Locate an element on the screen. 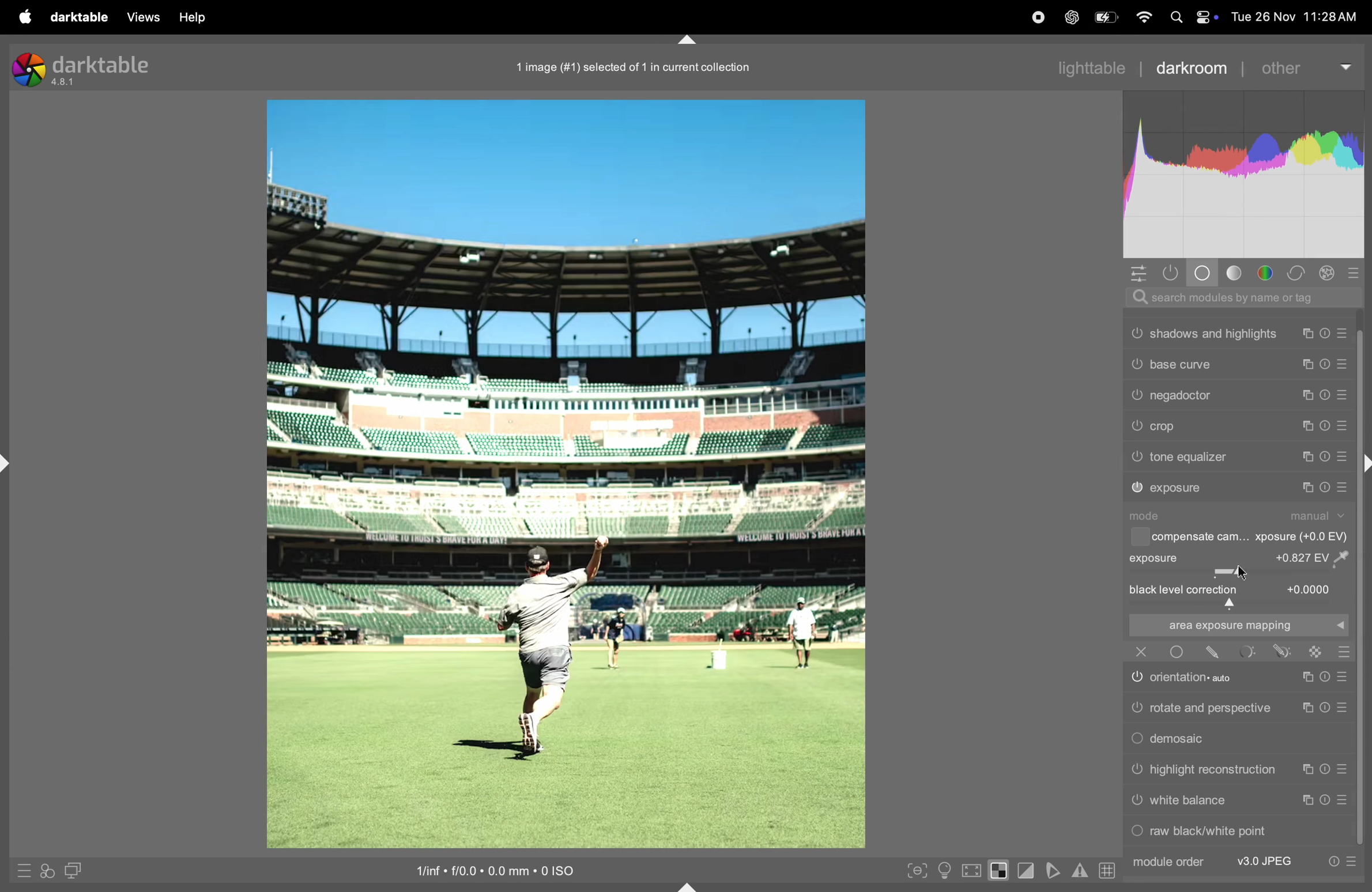 The image size is (1372, 892). Switch on or off is located at coordinates (1136, 770).